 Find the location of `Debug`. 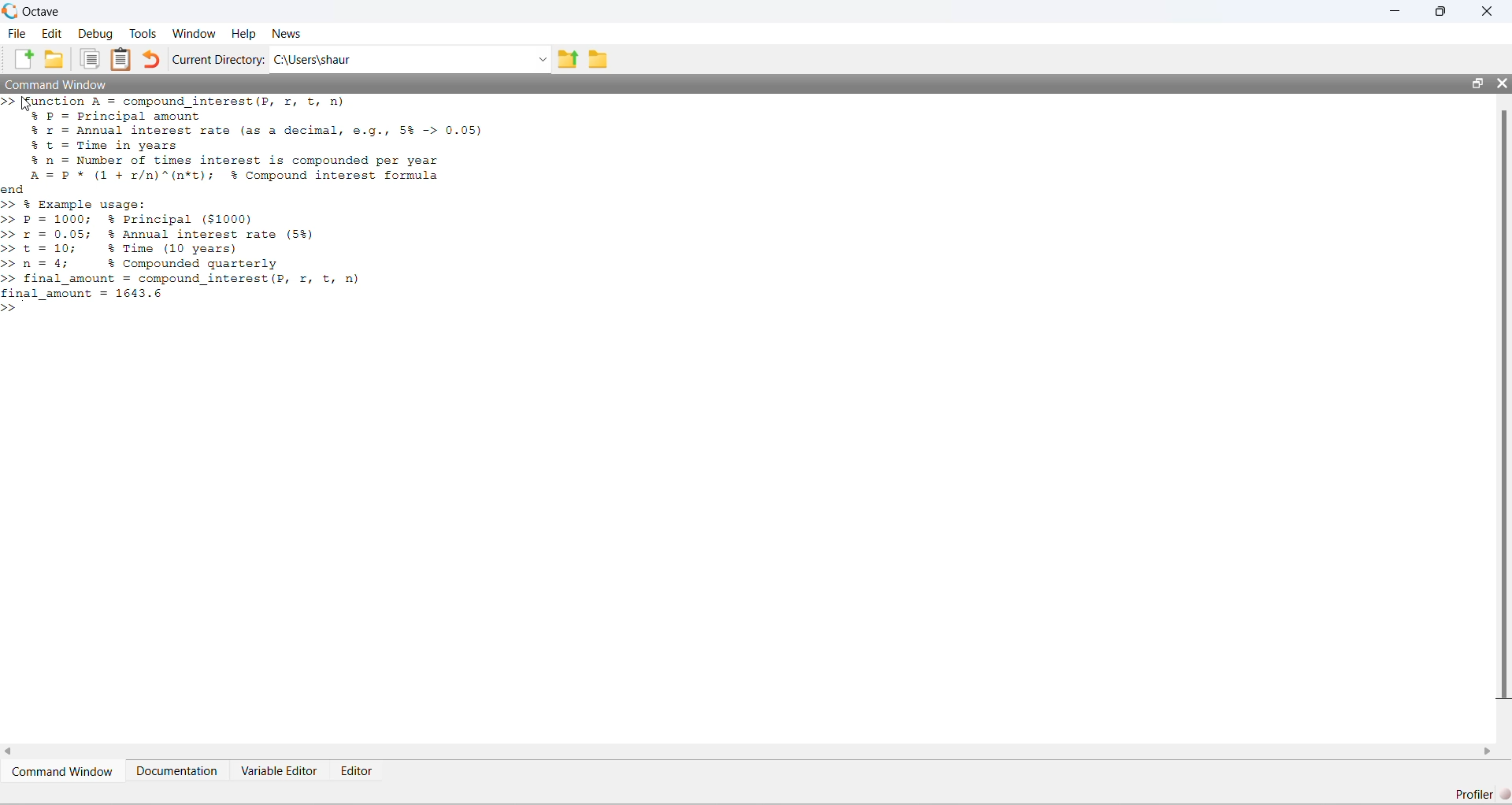

Debug is located at coordinates (95, 34).